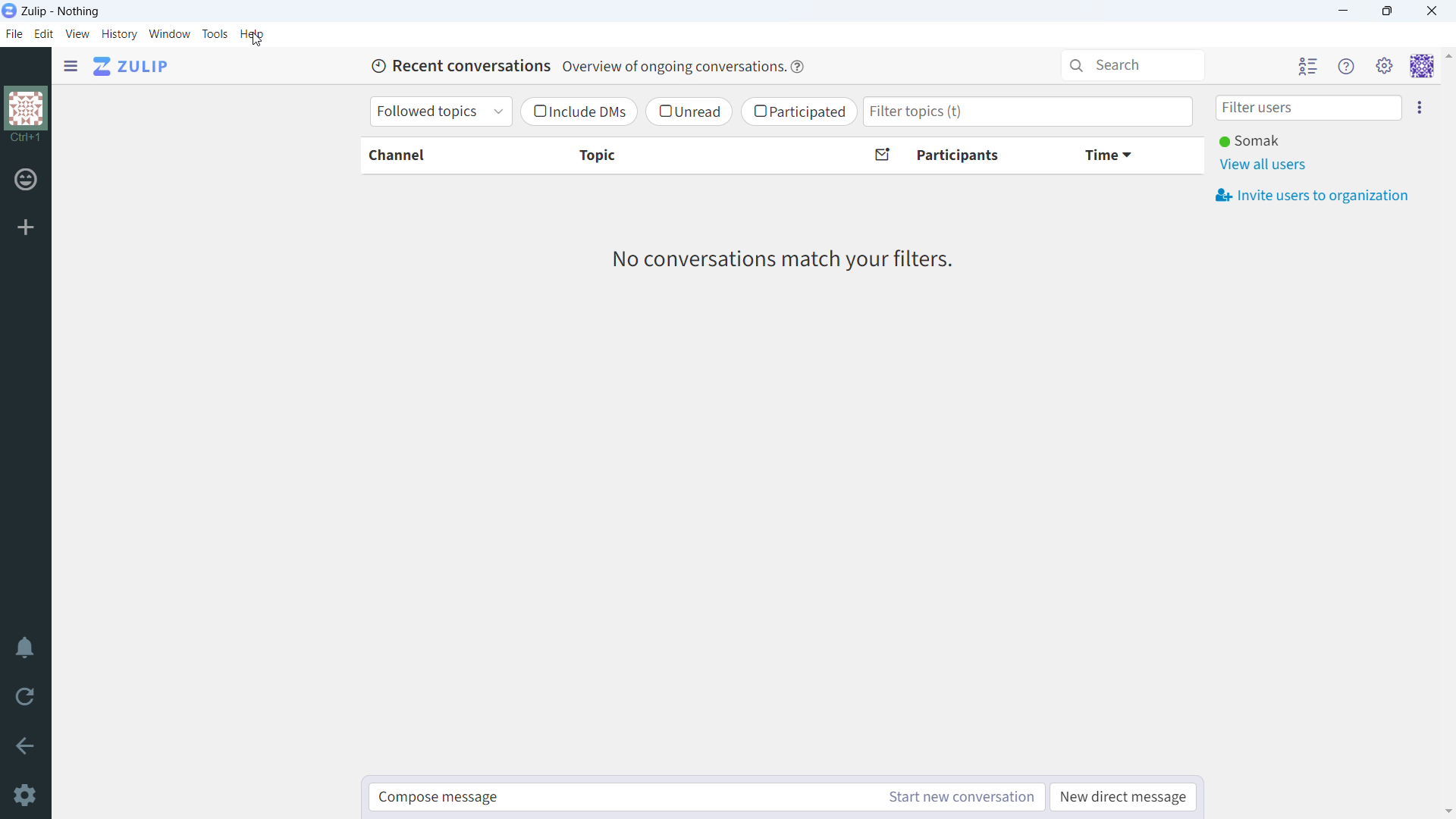 This screenshot has height=819, width=1456. I want to click on help, so click(798, 66).